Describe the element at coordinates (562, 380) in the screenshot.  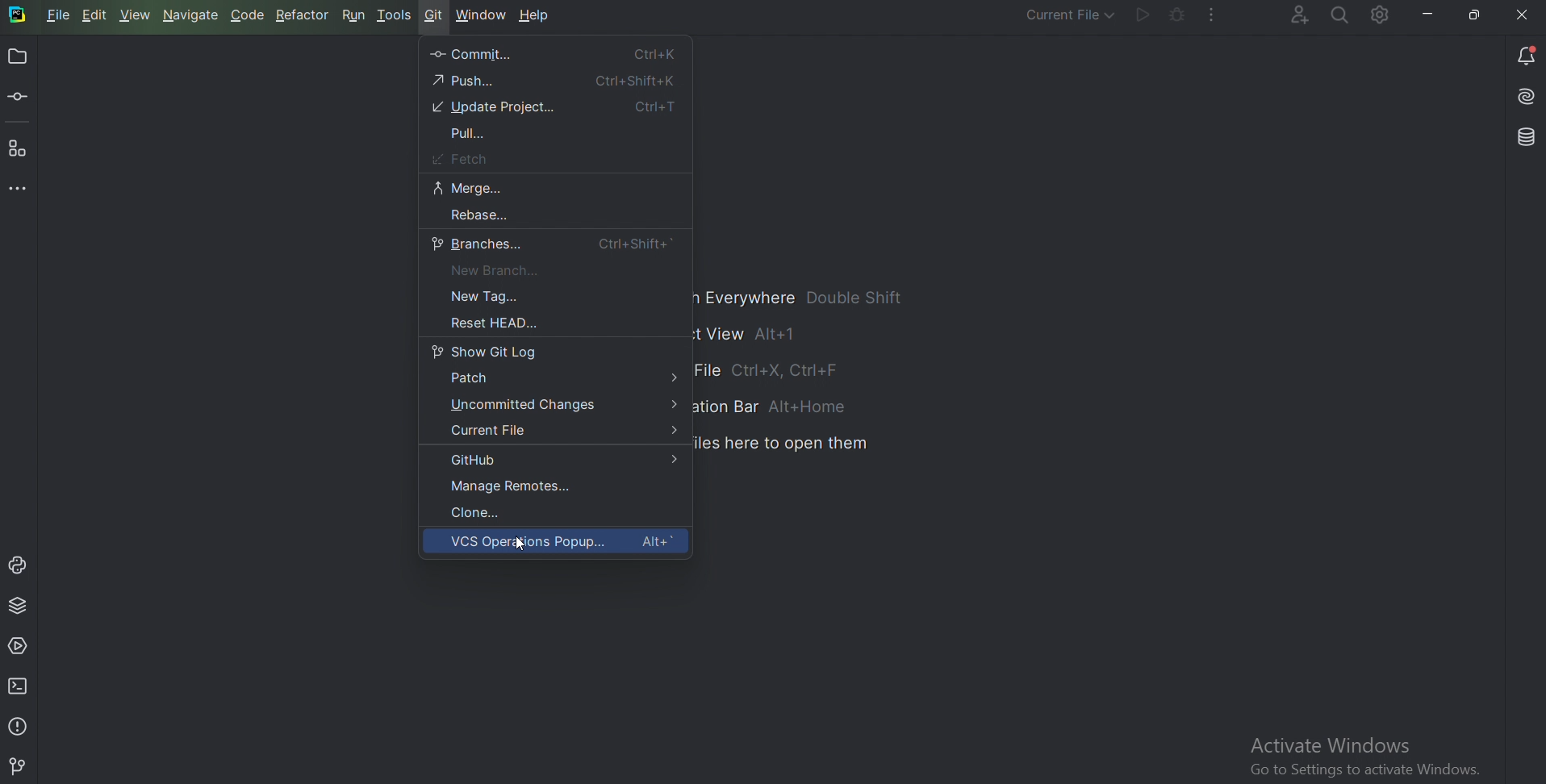
I see `Patch` at that location.